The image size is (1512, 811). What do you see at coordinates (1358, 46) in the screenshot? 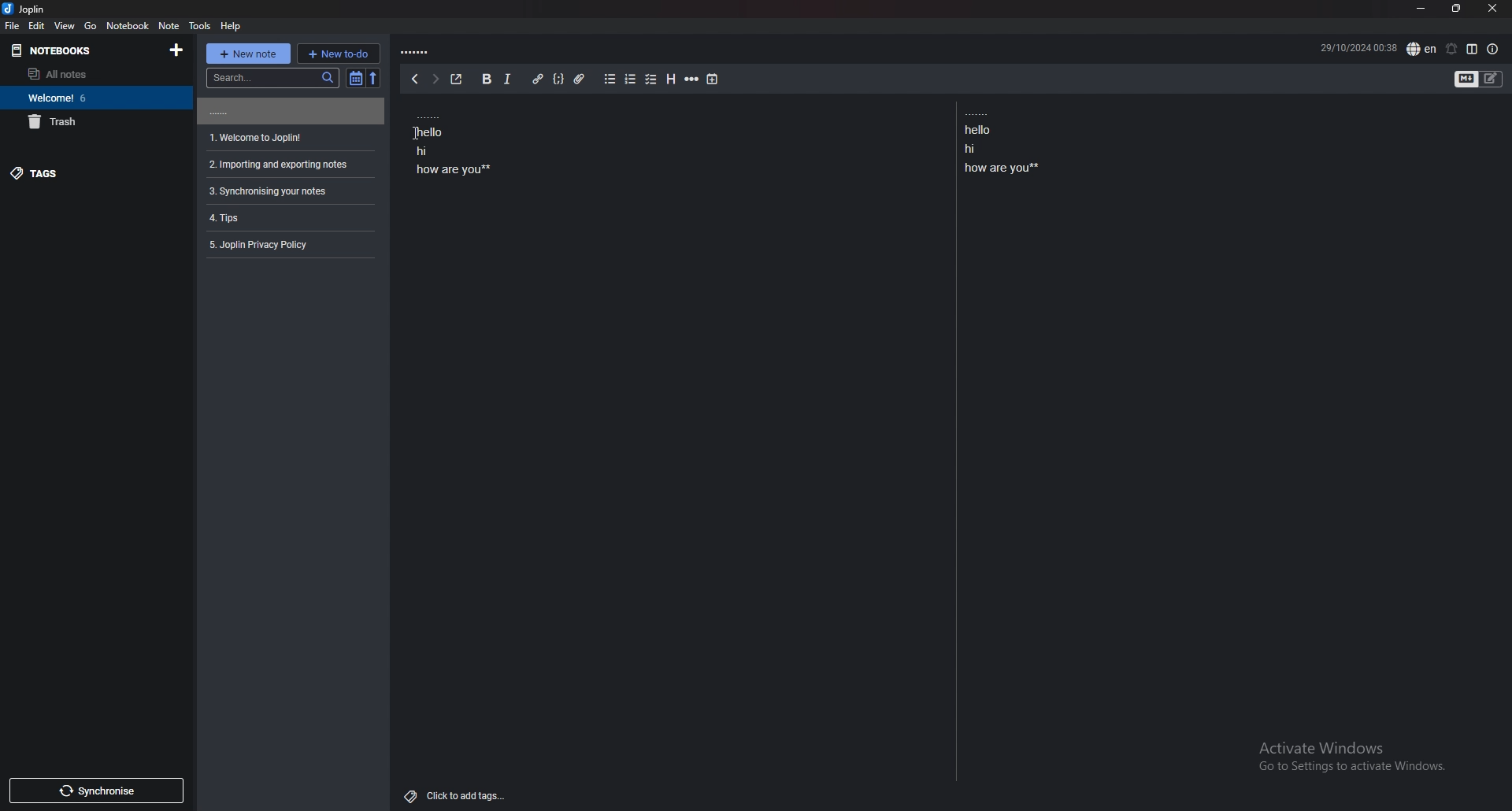
I see `date and time` at bounding box center [1358, 46].